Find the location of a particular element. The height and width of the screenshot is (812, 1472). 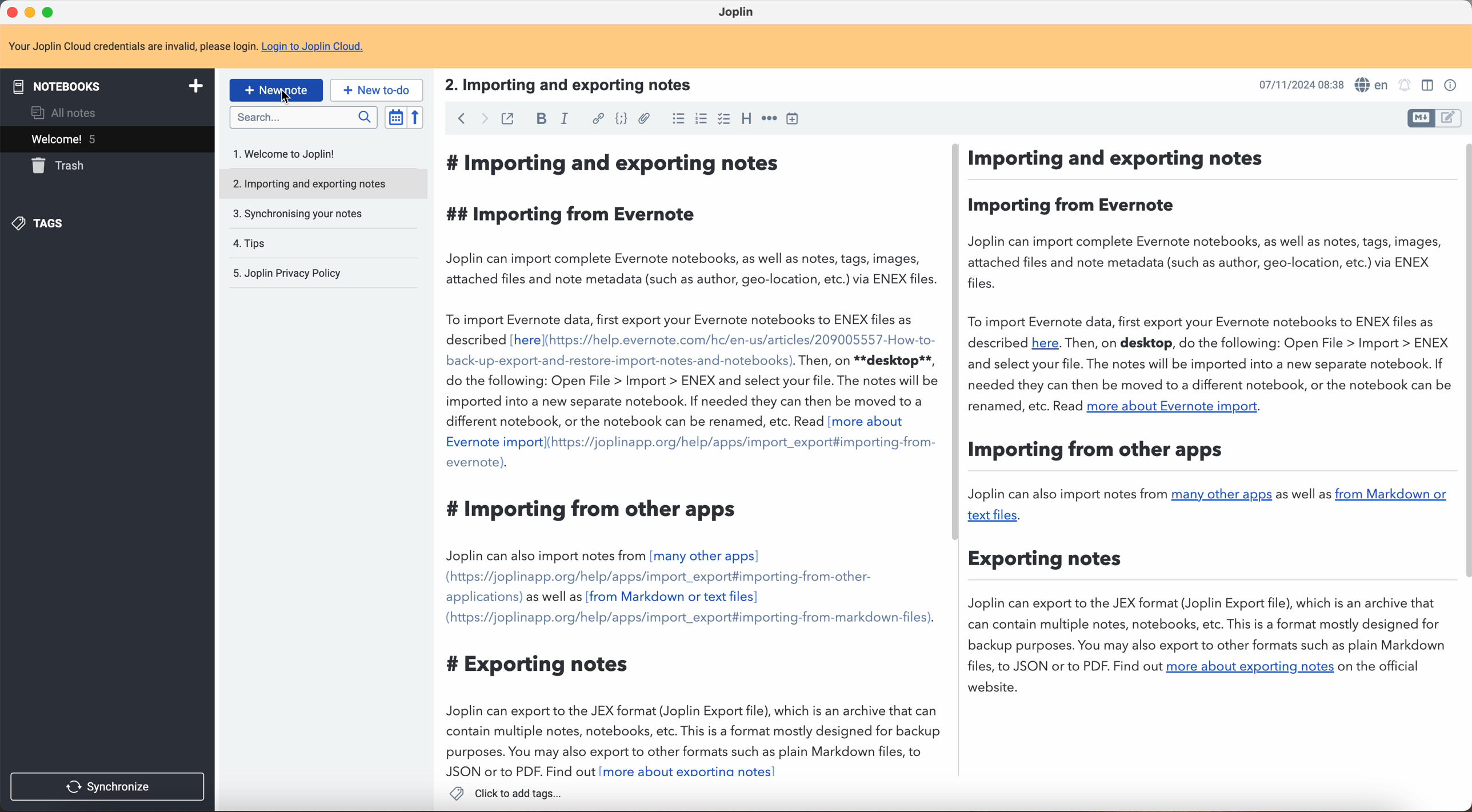

click to add tags is located at coordinates (504, 795).